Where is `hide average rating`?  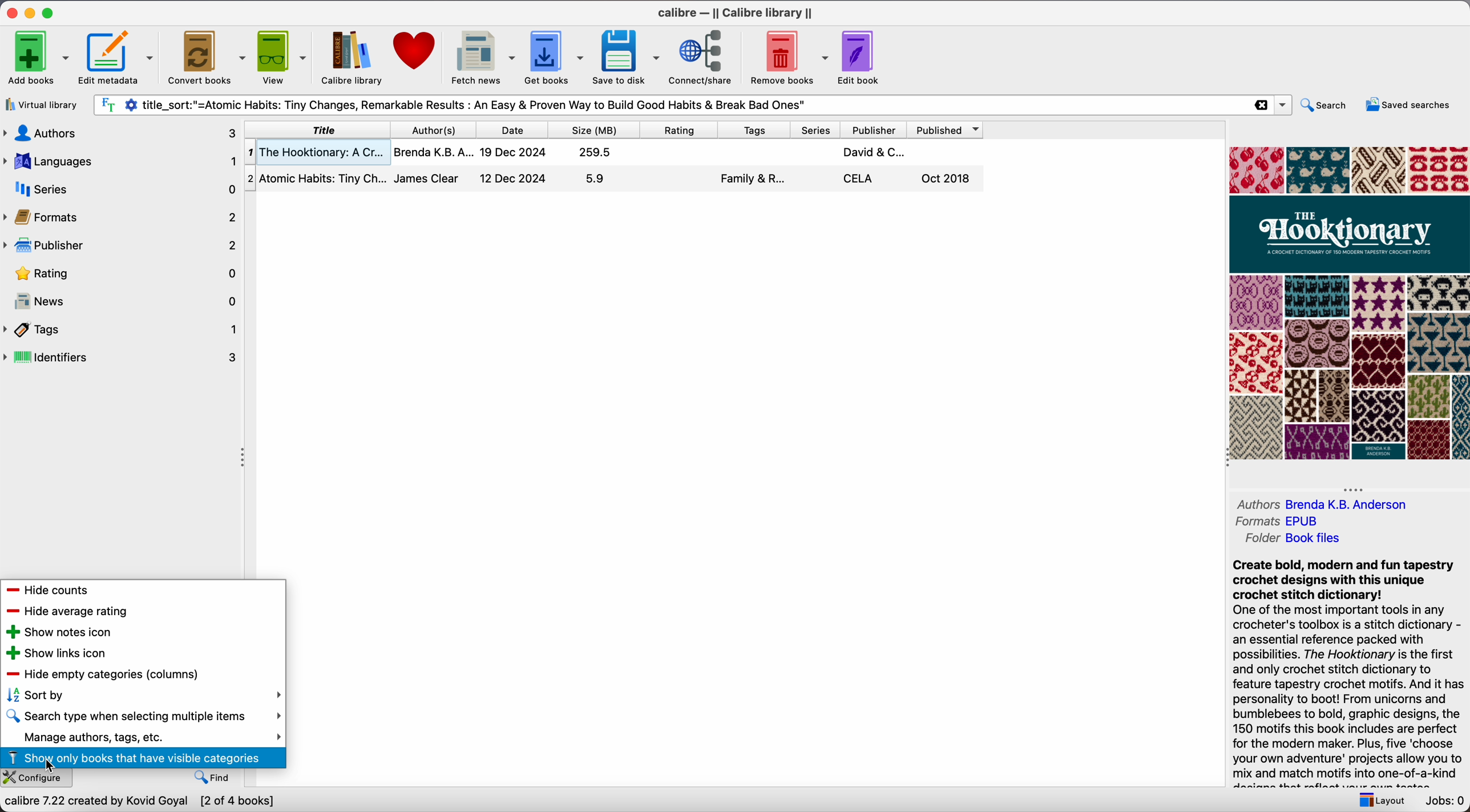
hide average rating is located at coordinates (66, 611).